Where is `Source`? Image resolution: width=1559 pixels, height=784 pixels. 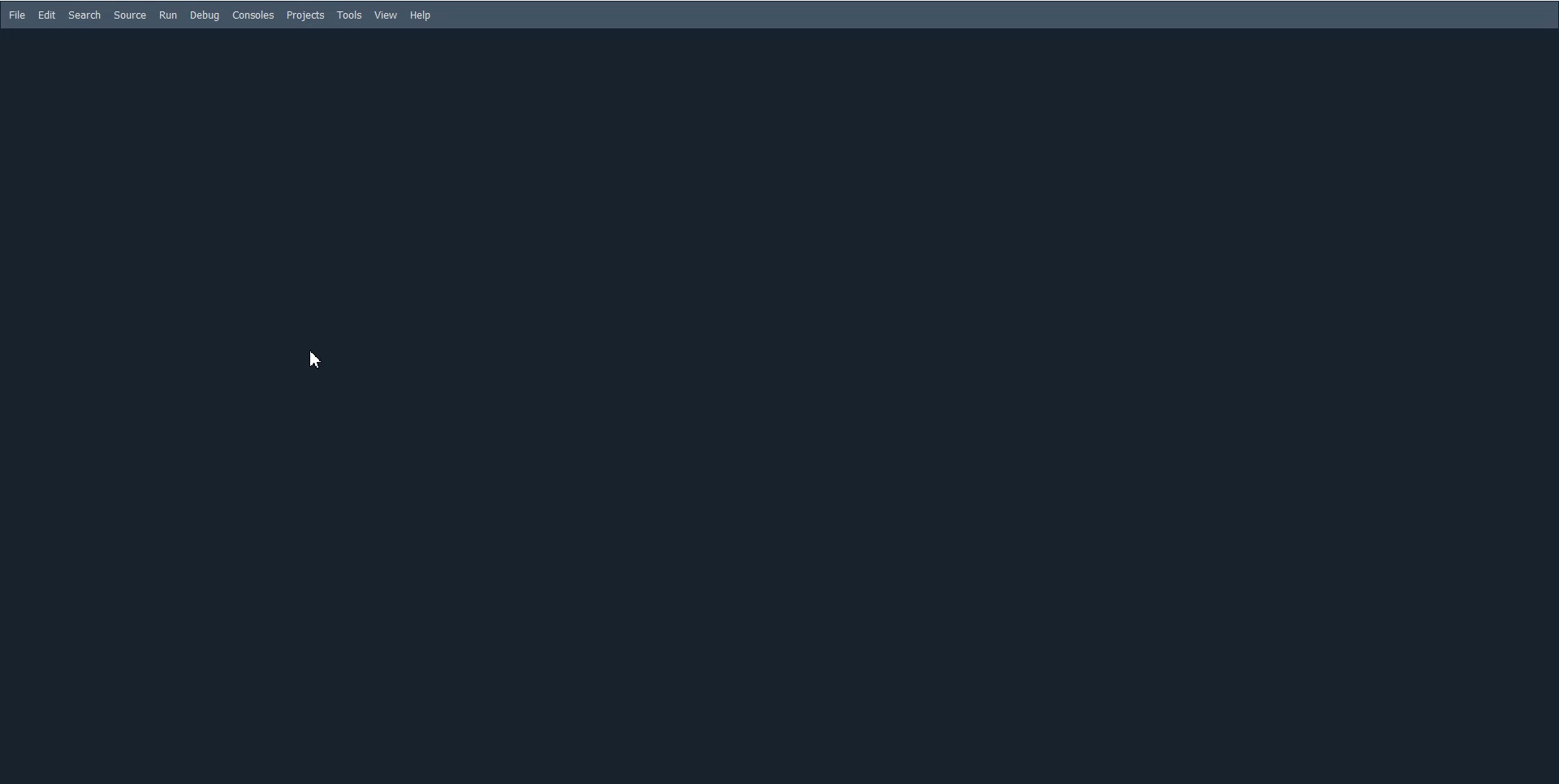 Source is located at coordinates (130, 15).